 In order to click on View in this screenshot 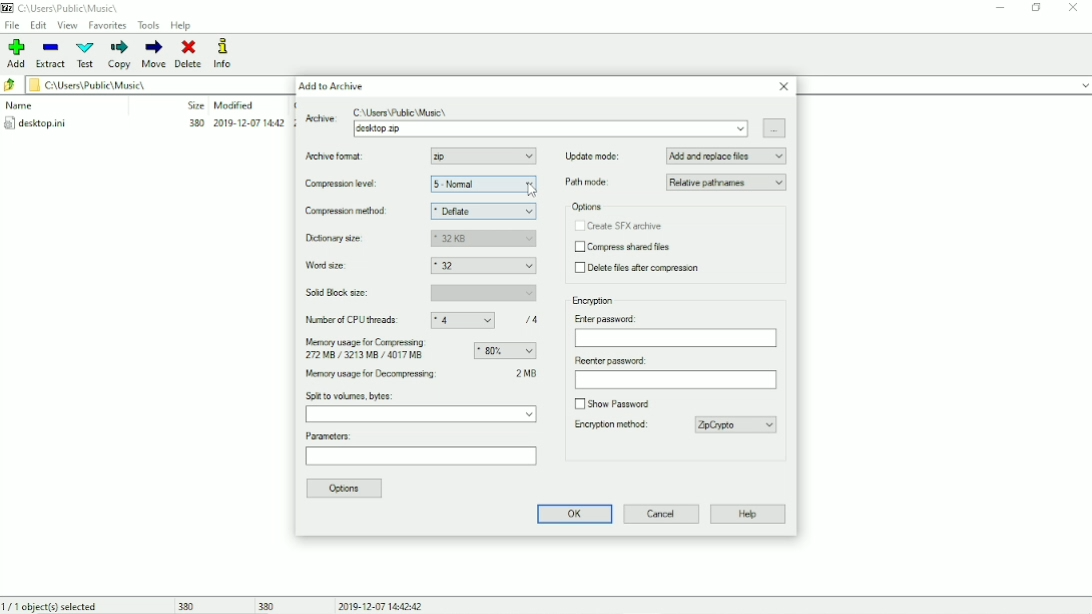, I will do `click(68, 25)`.